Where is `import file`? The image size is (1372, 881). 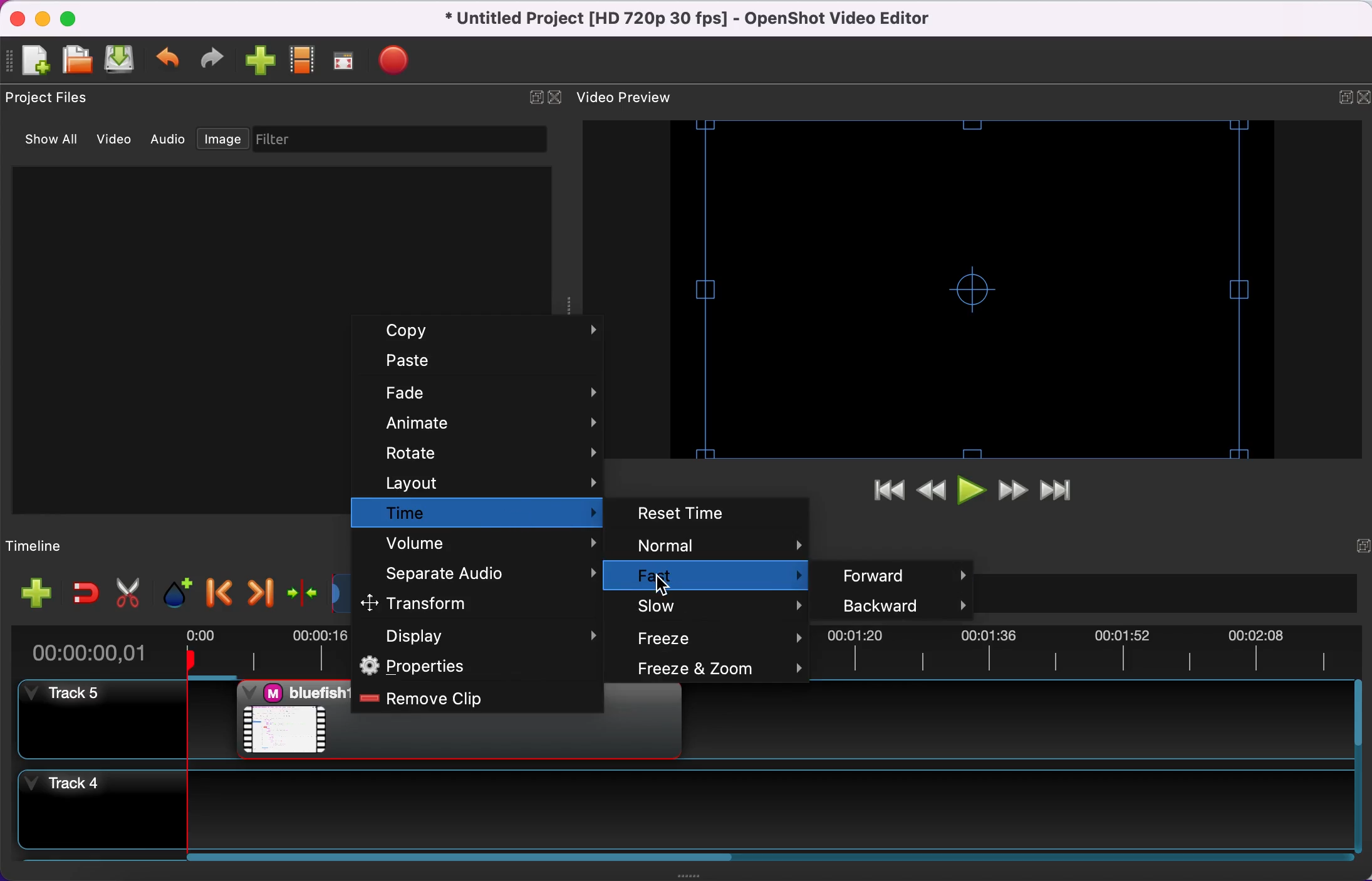
import file is located at coordinates (262, 62).